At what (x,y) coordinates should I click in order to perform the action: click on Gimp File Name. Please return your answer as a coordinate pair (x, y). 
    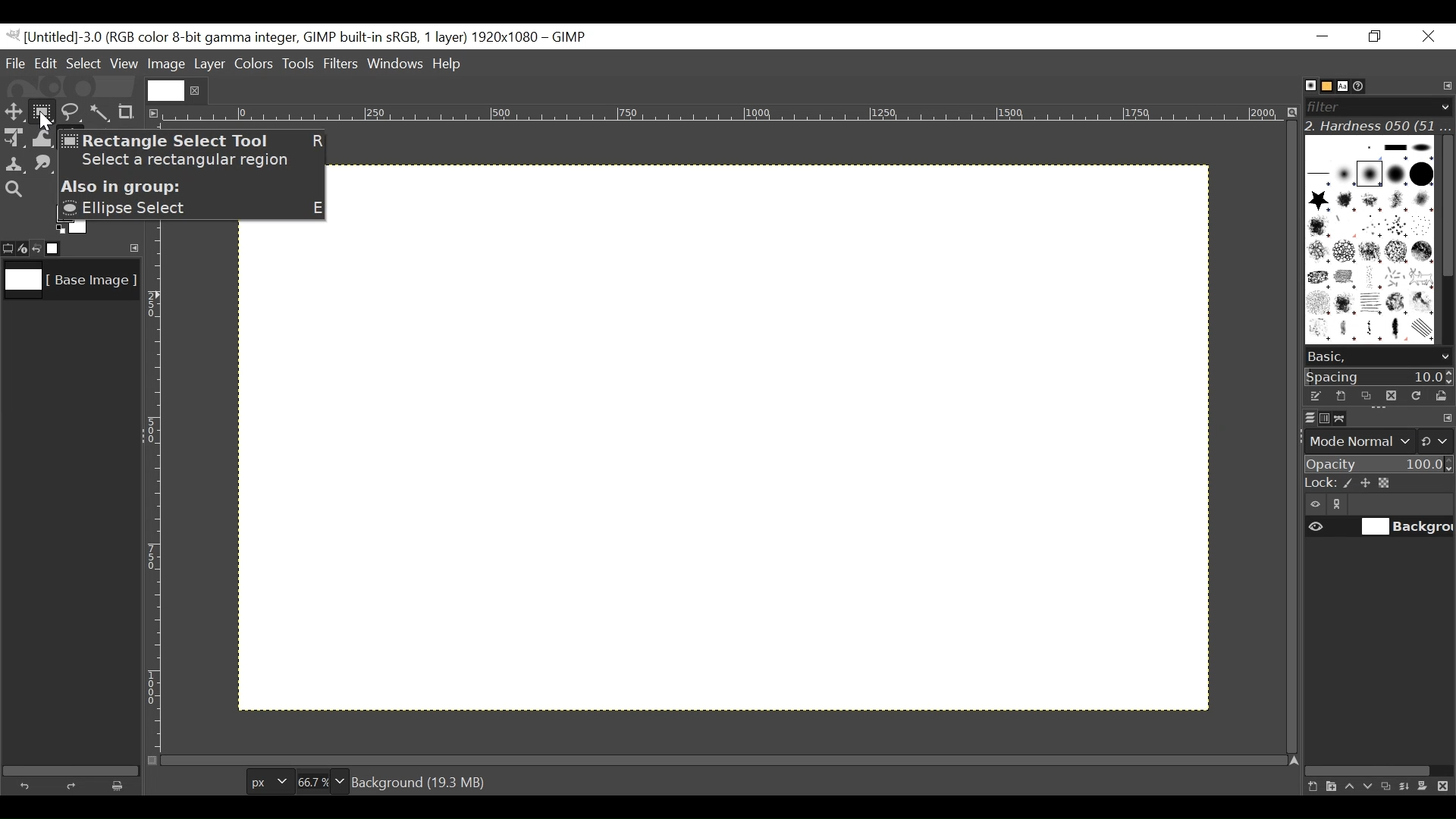
    Looking at the image, I should click on (302, 37).